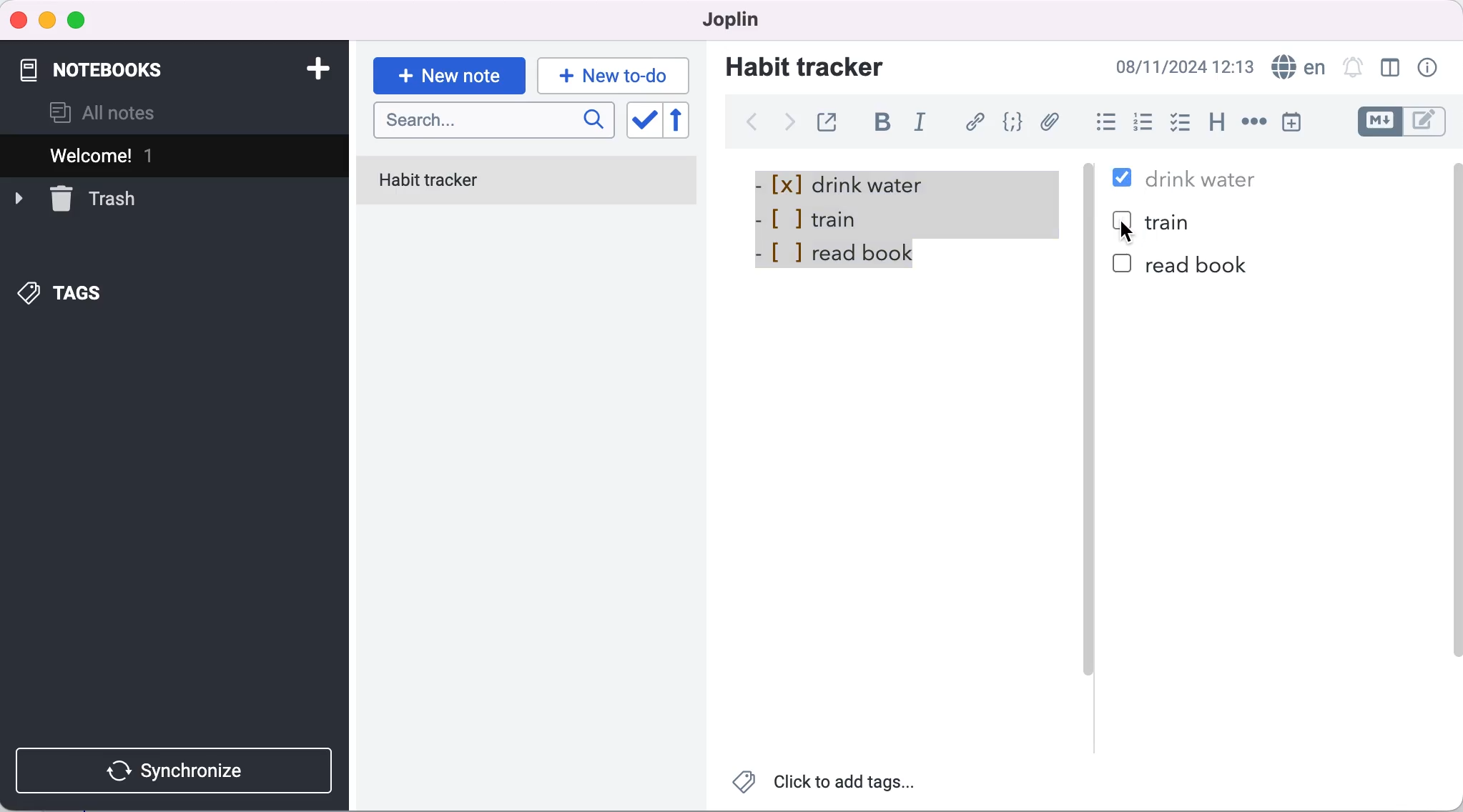 The width and height of the screenshot is (1463, 812). Describe the element at coordinates (826, 786) in the screenshot. I see `click to add tags` at that location.